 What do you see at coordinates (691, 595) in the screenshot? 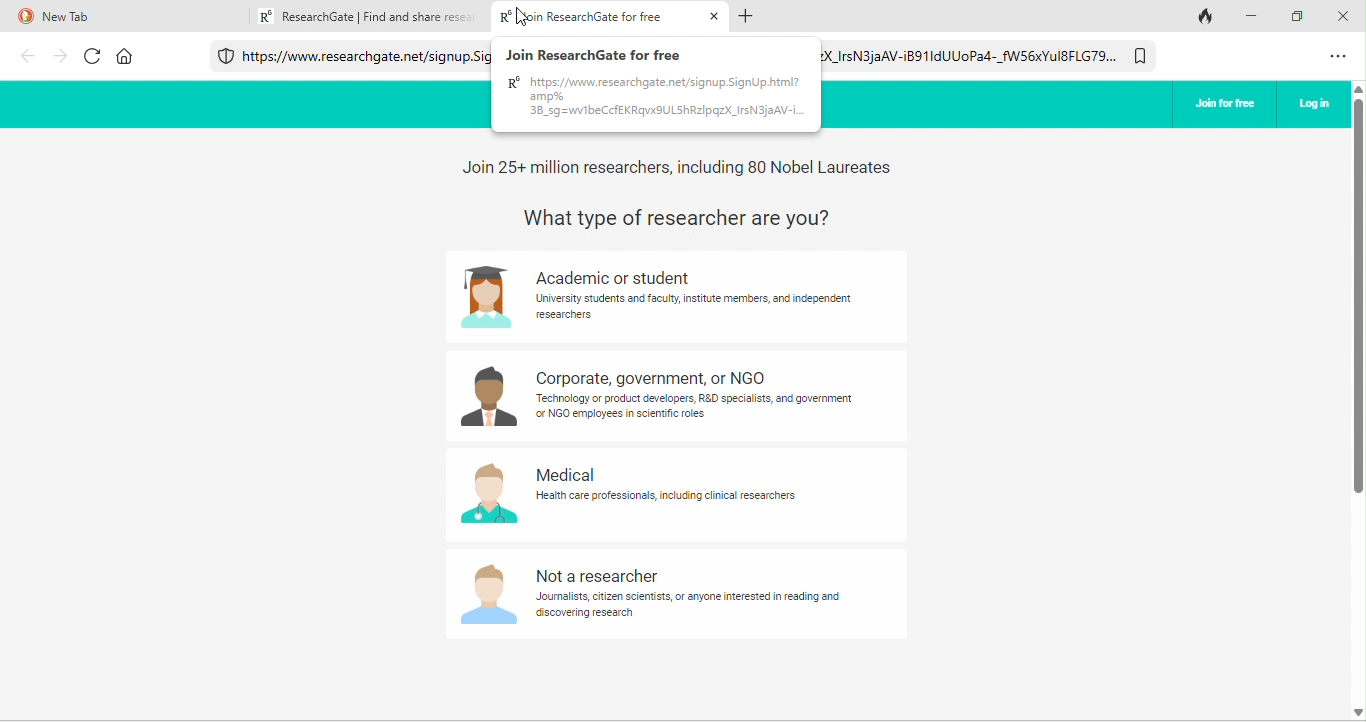
I see `Not a researcher
Journalist, citizen scientists, or anyone interested n reading and
discovering research` at bounding box center [691, 595].